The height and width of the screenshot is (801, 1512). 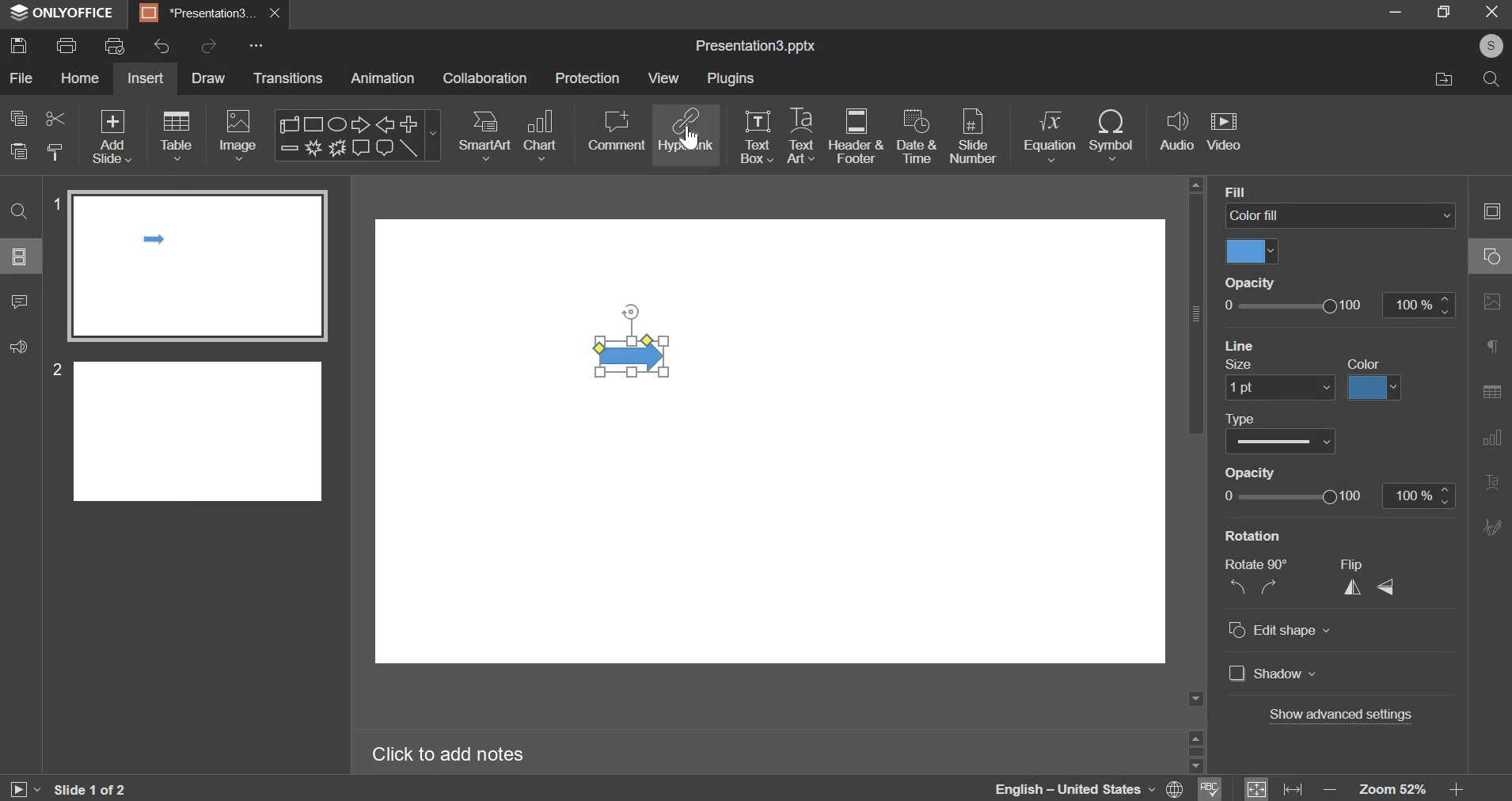 I want to click on draw, so click(x=212, y=80).